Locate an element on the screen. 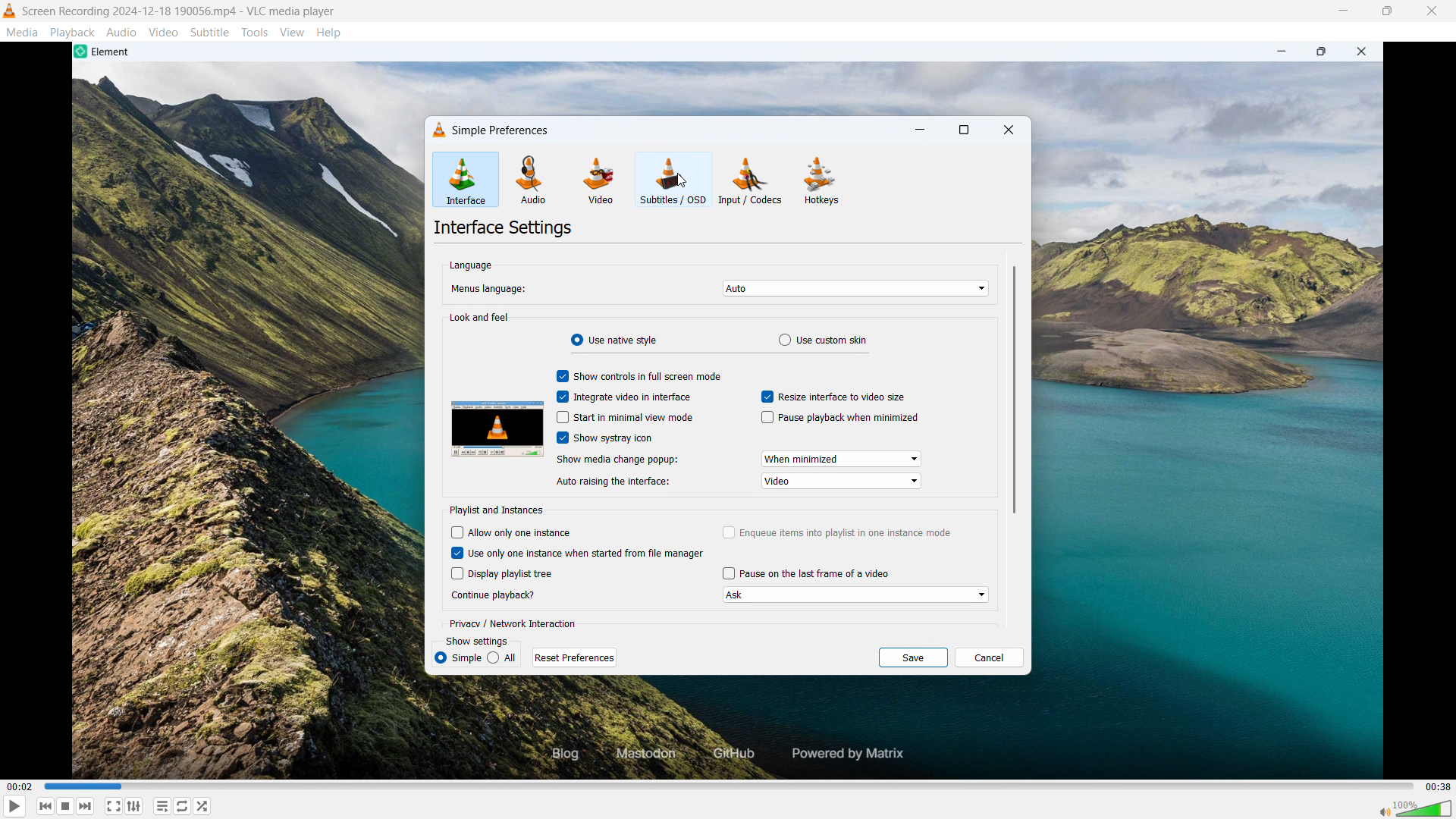  use native style is located at coordinates (614, 340).